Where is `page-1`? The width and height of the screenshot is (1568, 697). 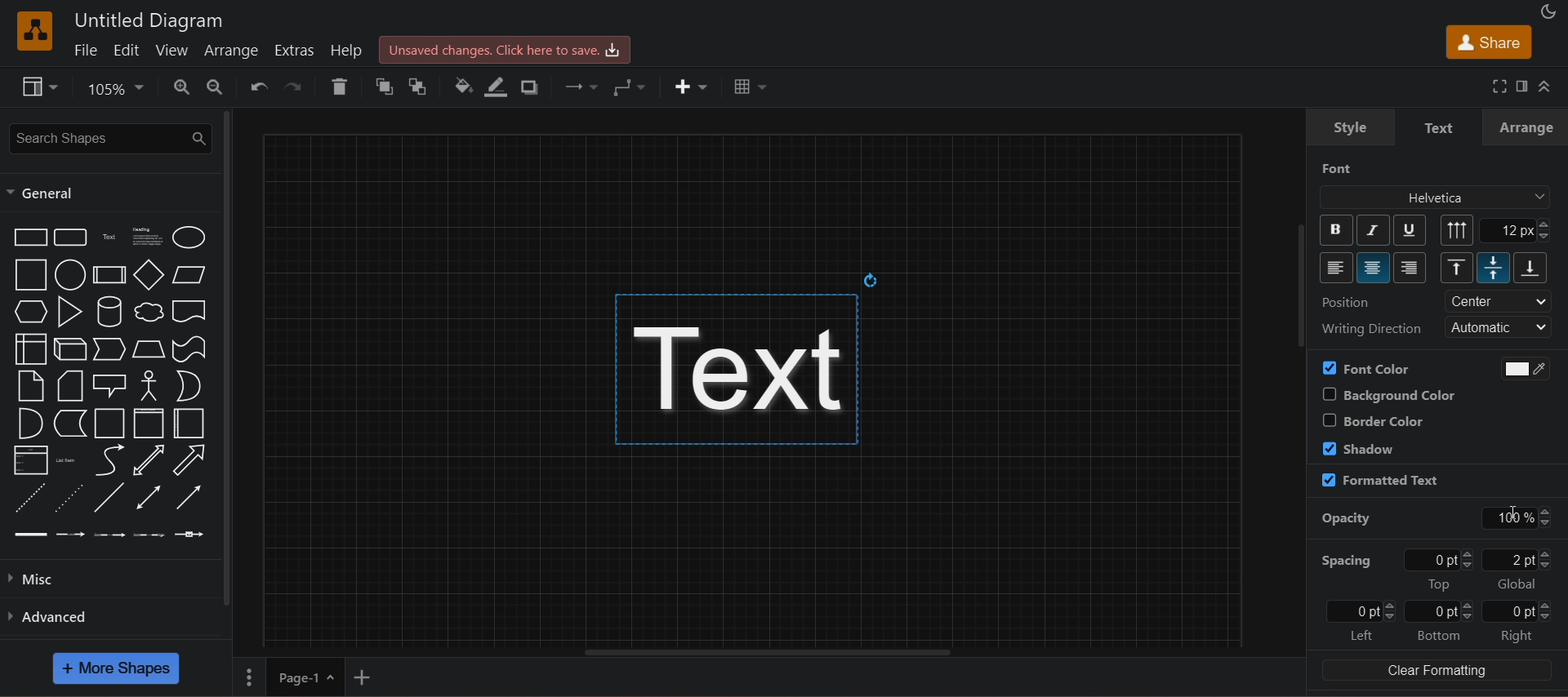
page-1 is located at coordinates (304, 677).